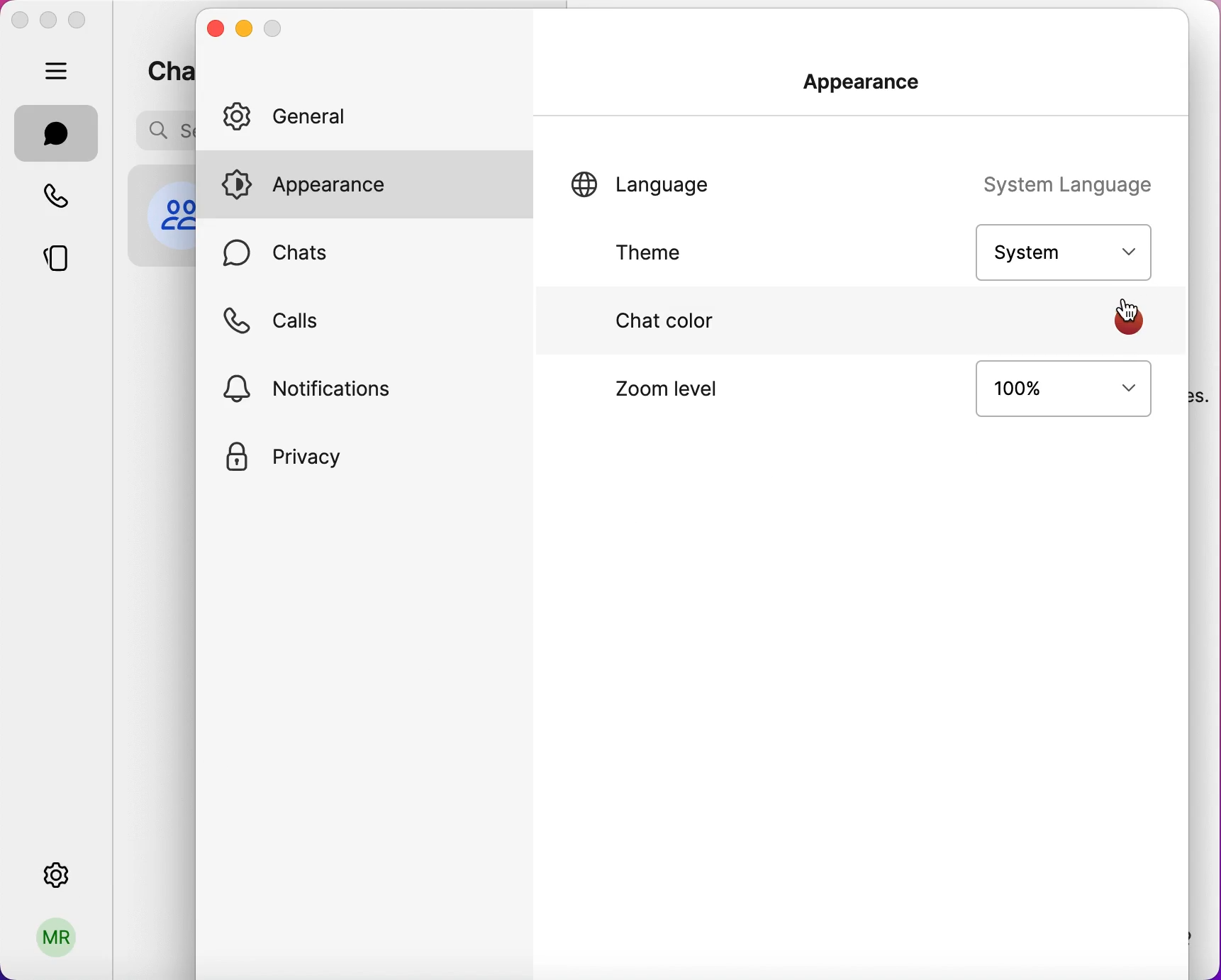  What do you see at coordinates (325, 321) in the screenshot?
I see `calls` at bounding box center [325, 321].